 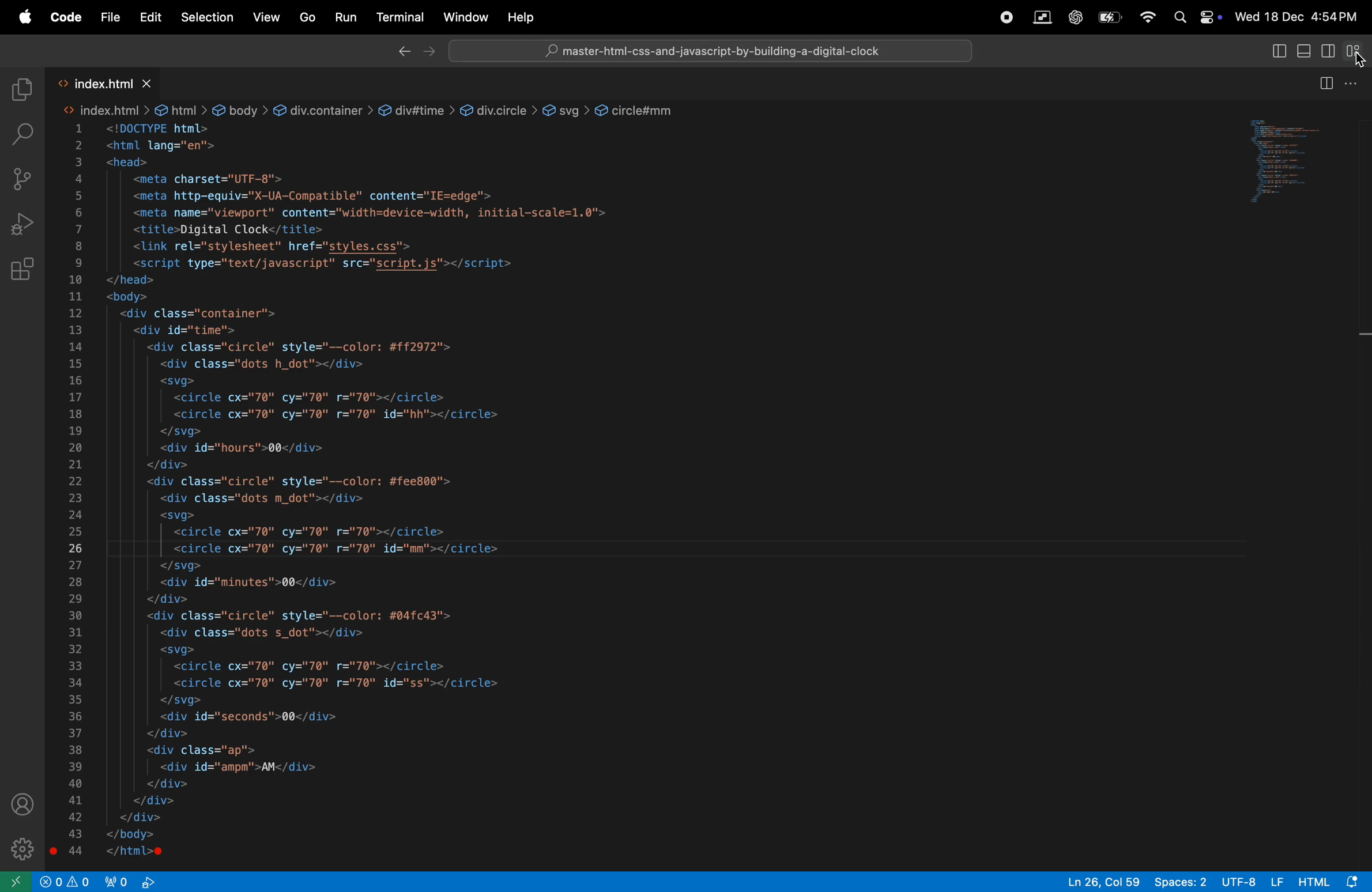 What do you see at coordinates (265, 17) in the screenshot?
I see `View` at bounding box center [265, 17].